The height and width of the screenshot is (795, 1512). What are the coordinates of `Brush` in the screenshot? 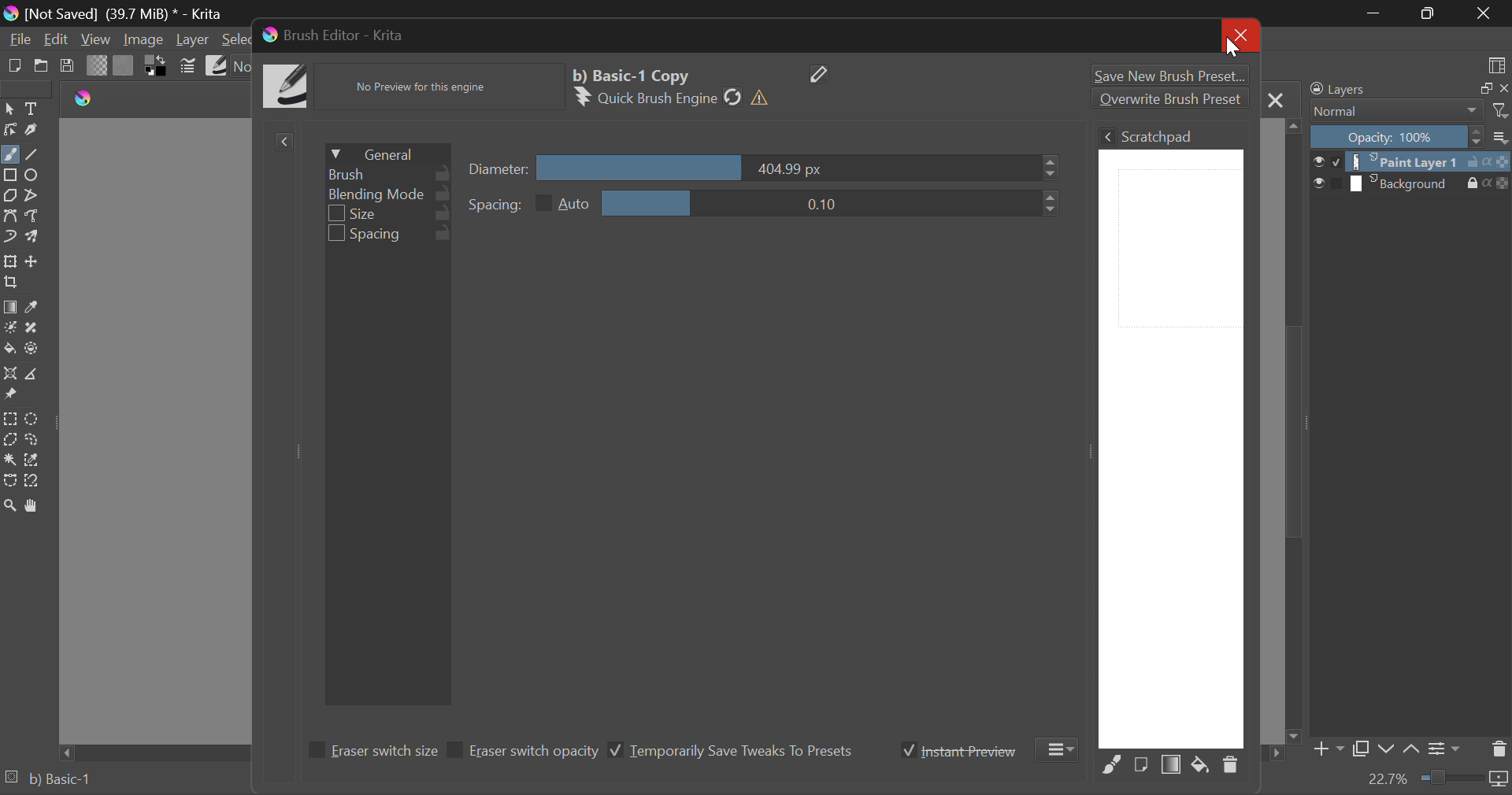 It's located at (387, 173).